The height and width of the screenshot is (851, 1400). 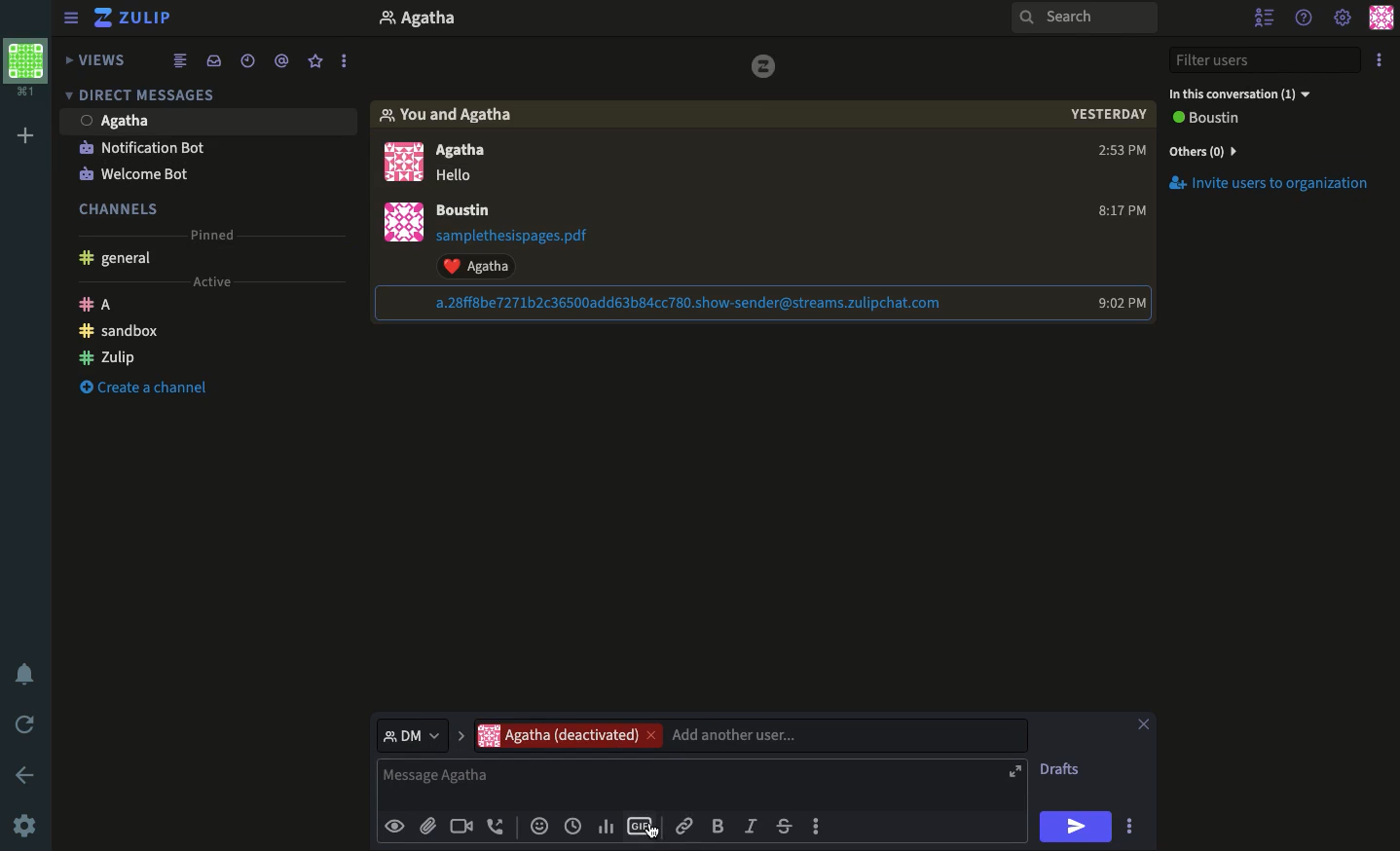 I want to click on Channels , so click(x=122, y=205).